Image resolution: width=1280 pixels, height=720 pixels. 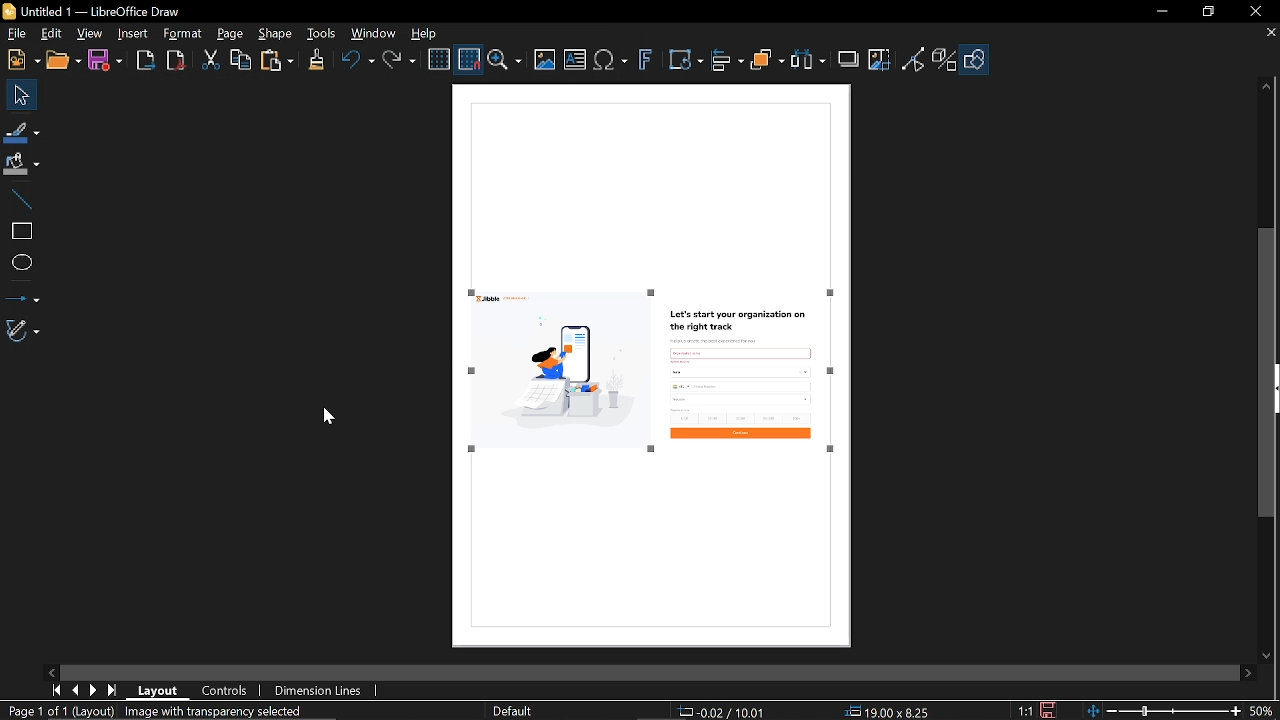 I want to click on Line color, so click(x=21, y=131).